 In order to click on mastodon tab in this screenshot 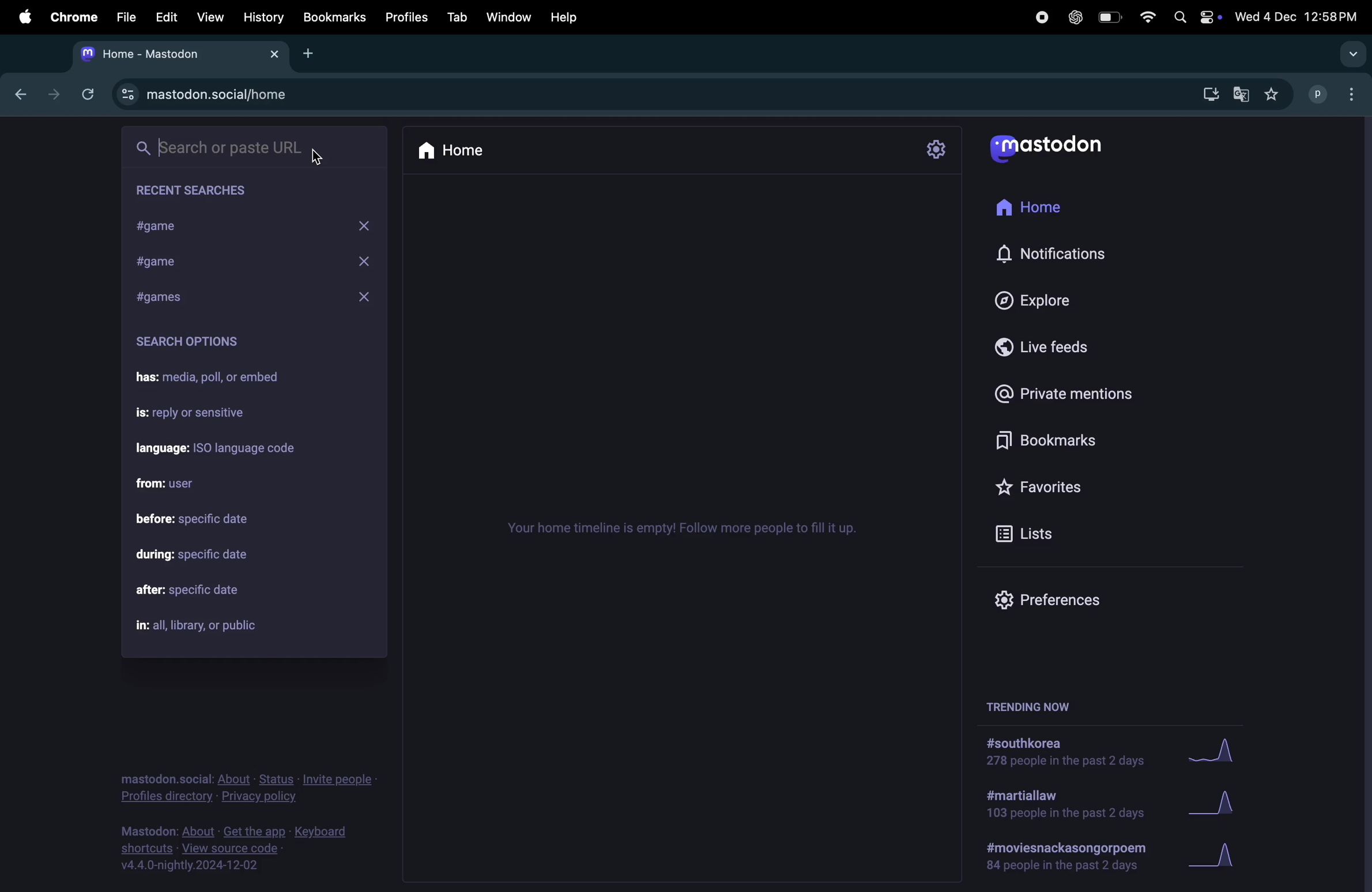, I will do `click(183, 54)`.